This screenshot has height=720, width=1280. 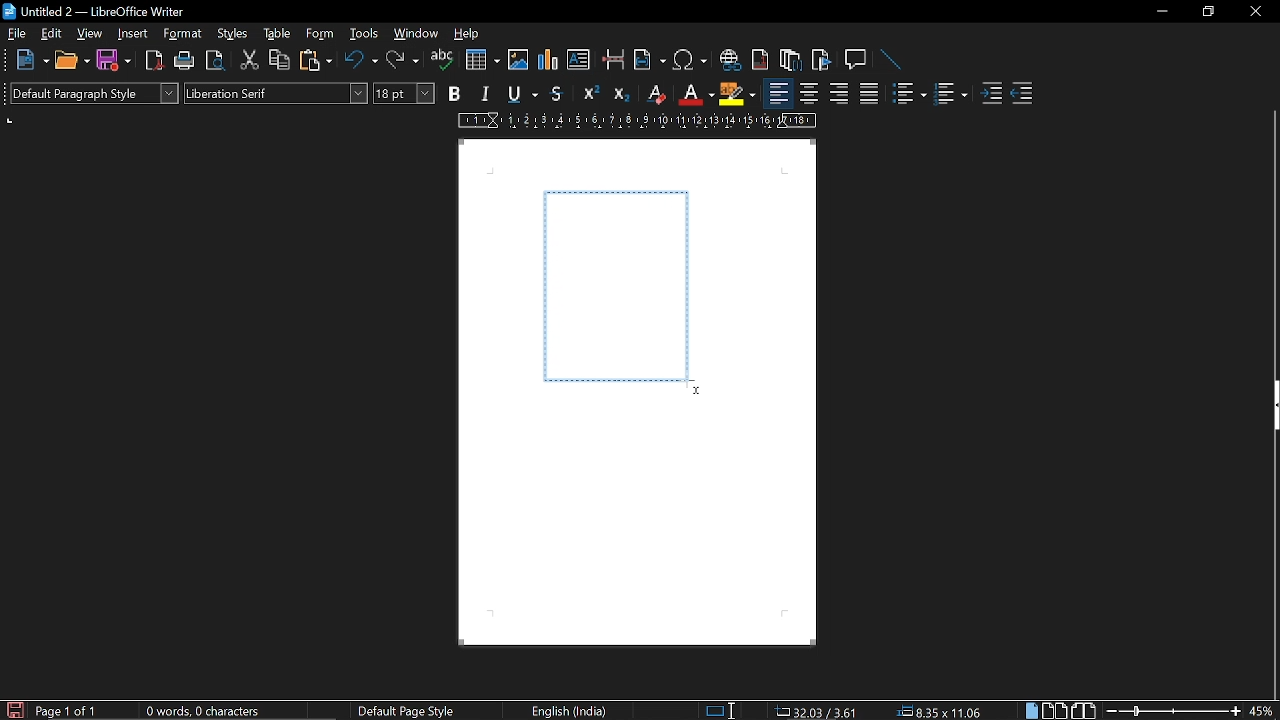 What do you see at coordinates (616, 285) in the screenshot?
I see `shape` at bounding box center [616, 285].